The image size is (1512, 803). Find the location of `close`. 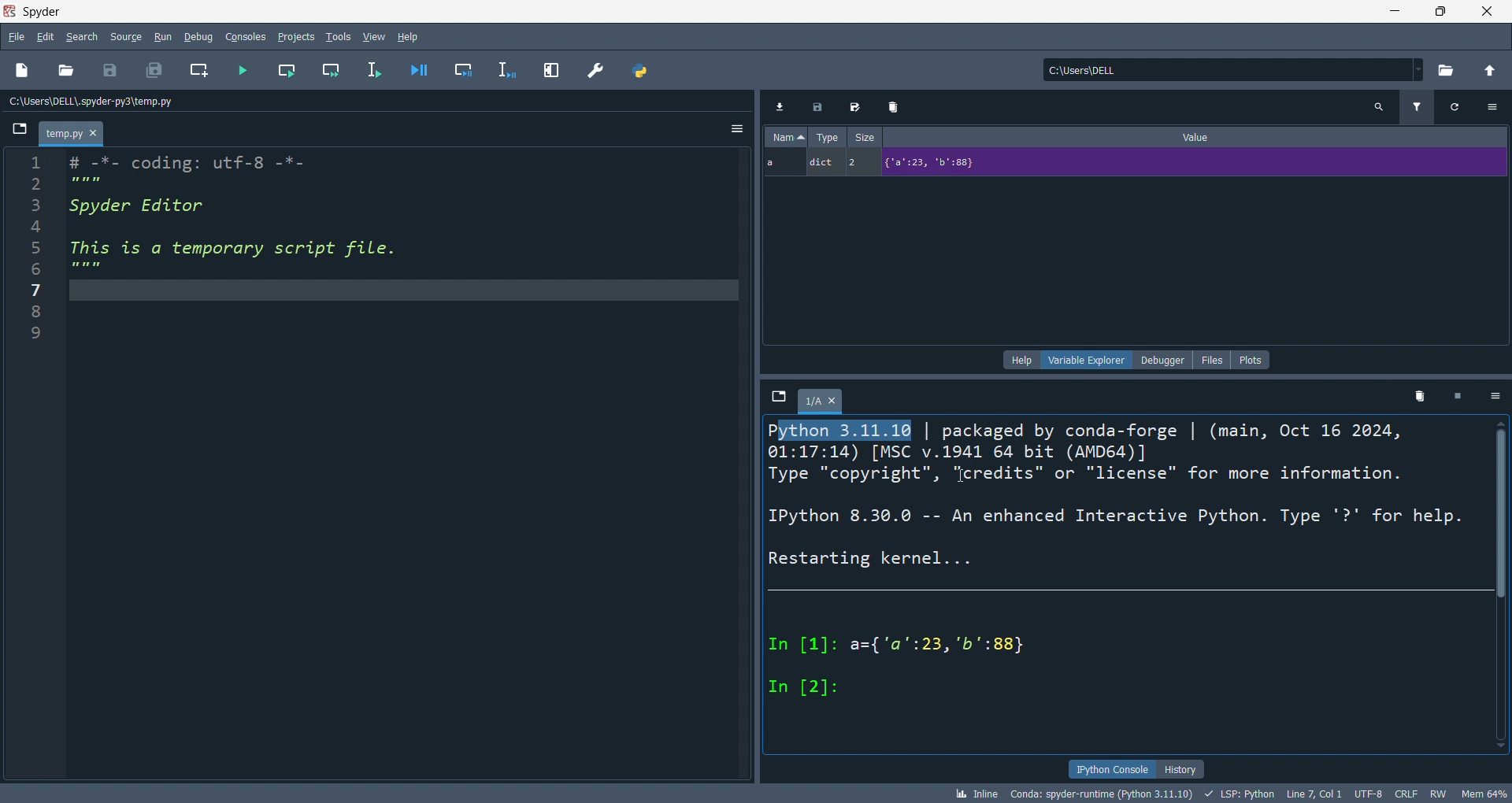

close is located at coordinates (1485, 13).